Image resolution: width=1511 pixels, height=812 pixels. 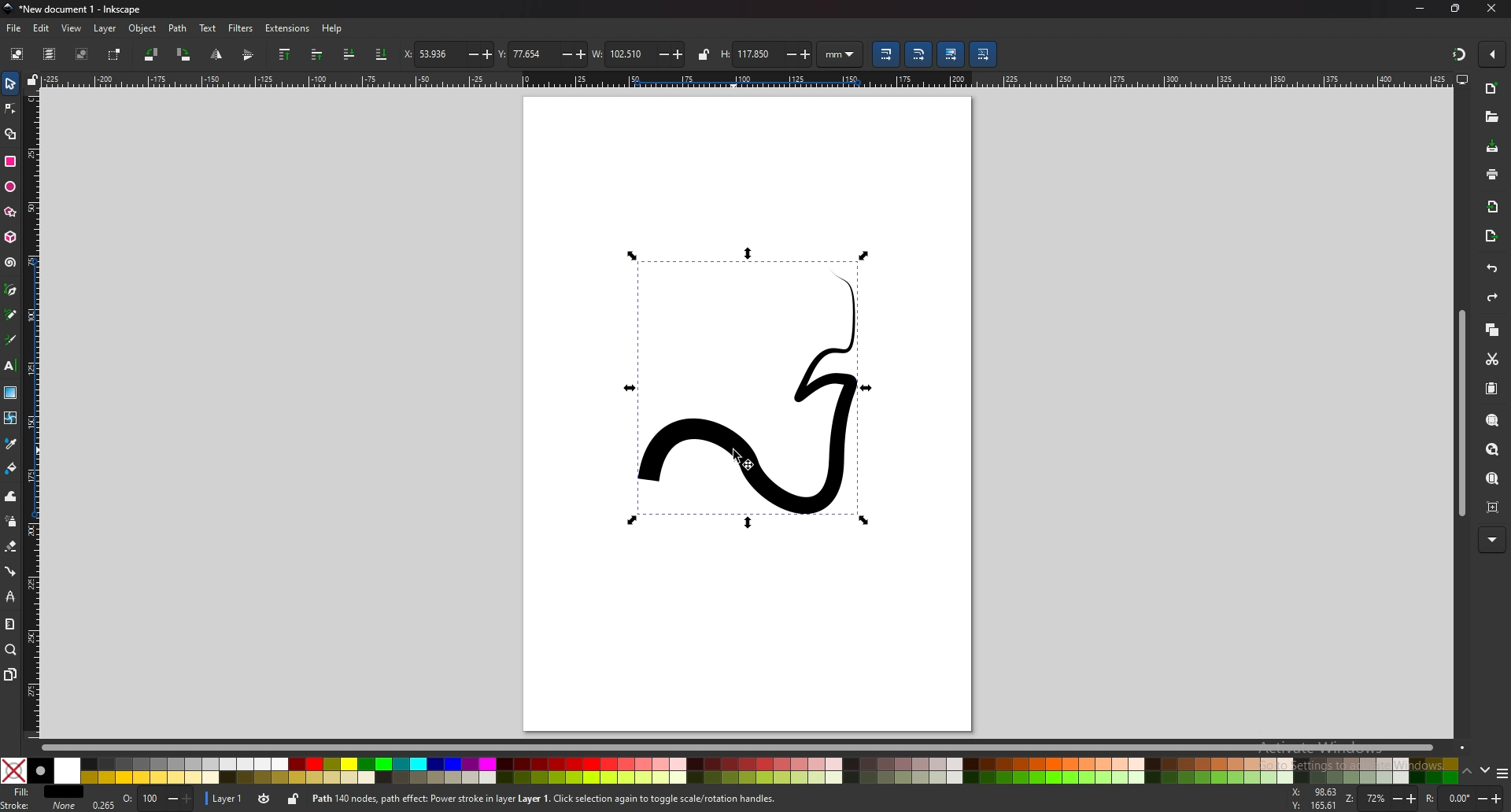 I want to click on pen, so click(x=10, y=290).